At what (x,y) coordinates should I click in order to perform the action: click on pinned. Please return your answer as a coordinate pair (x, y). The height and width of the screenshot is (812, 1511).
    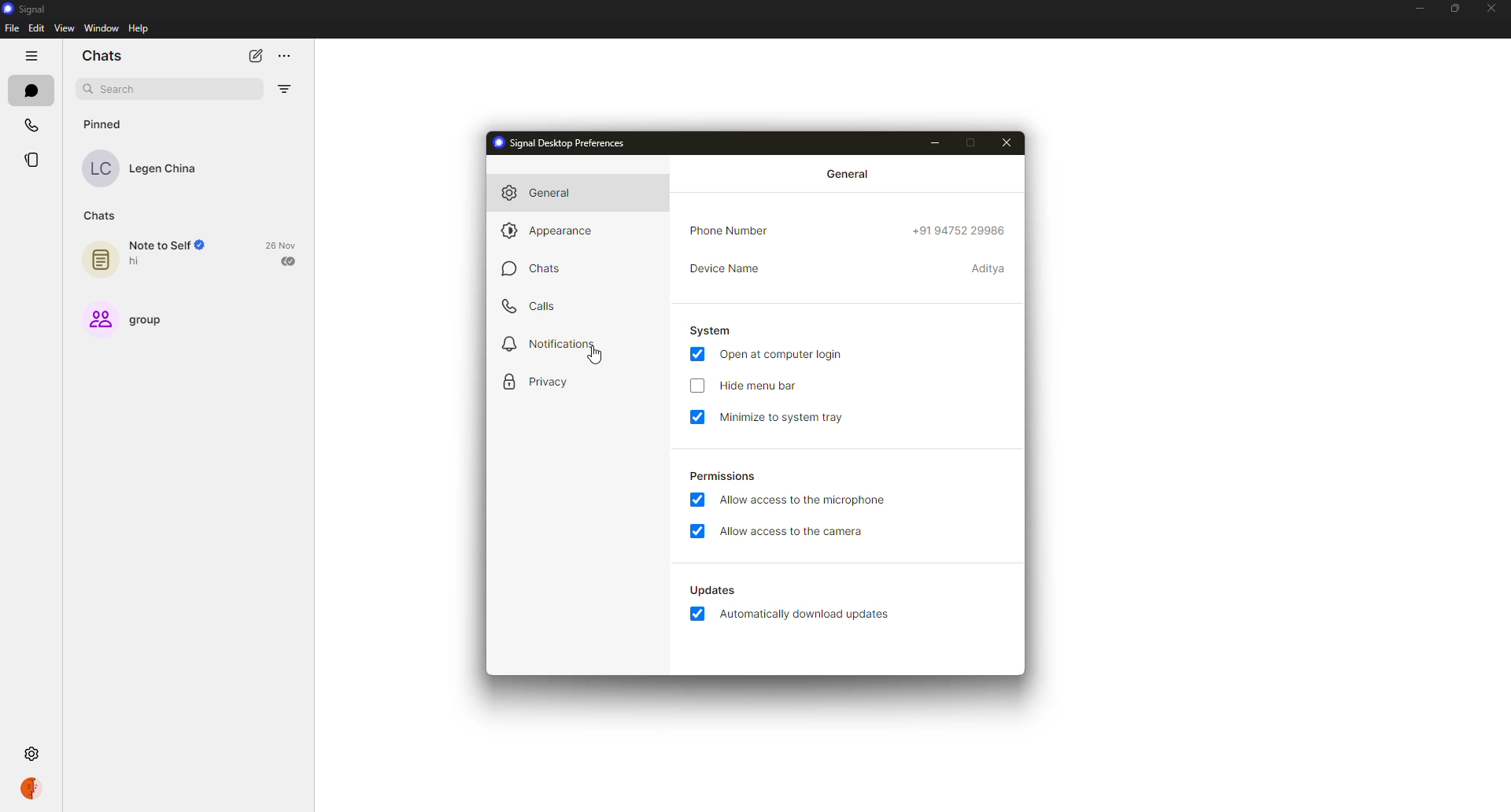
    Looking at the image, I should click on (102, 123).